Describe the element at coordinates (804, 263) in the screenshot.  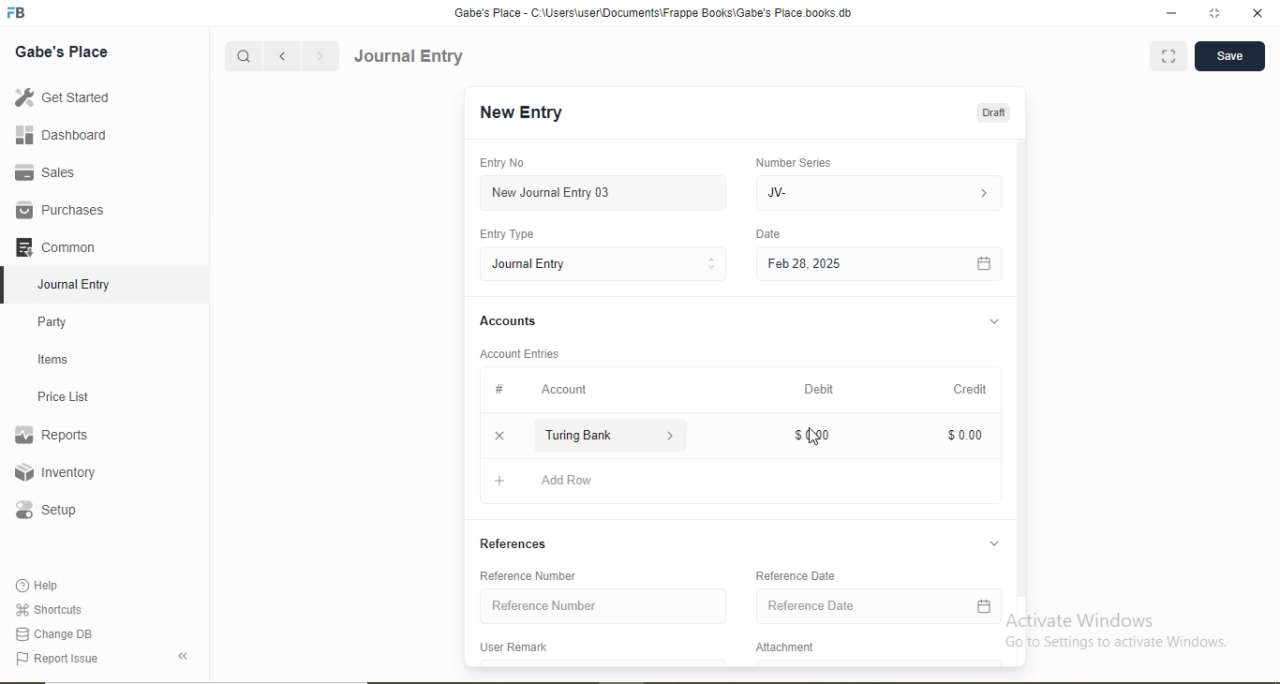
I see `Feb 28, 2025` at that location.